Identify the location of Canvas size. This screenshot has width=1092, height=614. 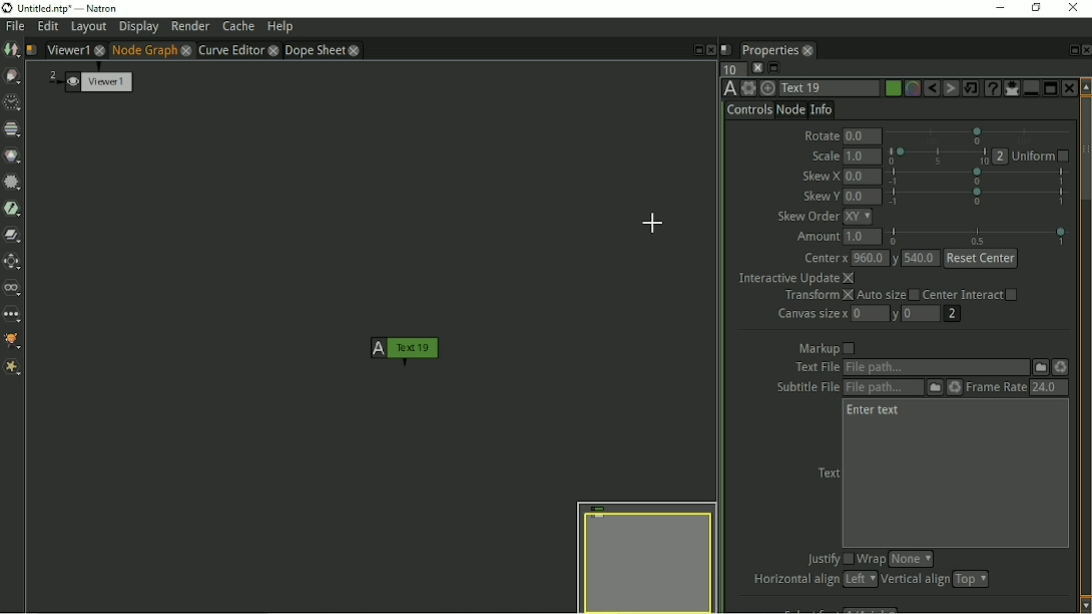
(812, 316).